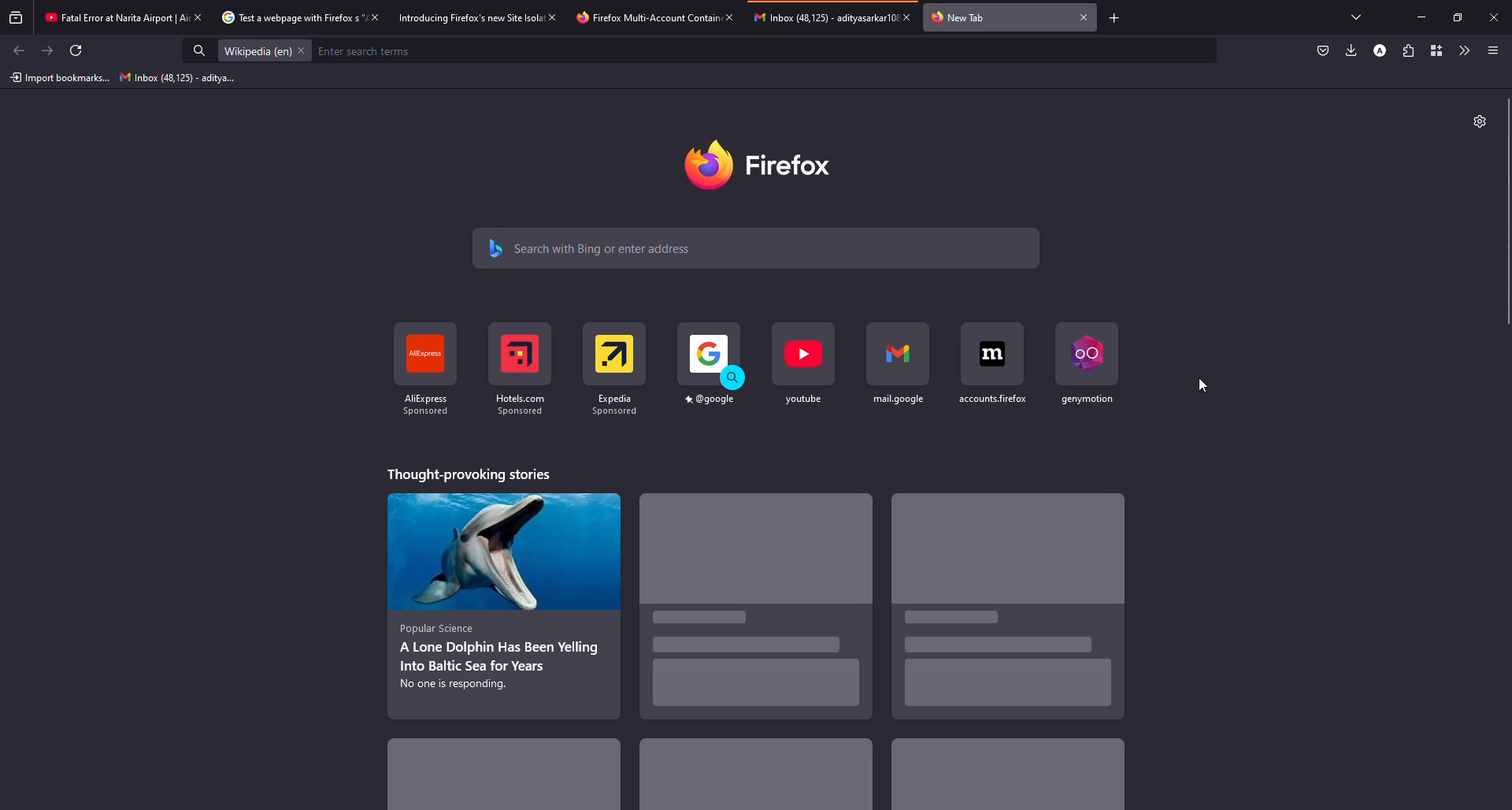  What do you see at coordinates (909, 17) in the screenshot?
I see `close` at bounding box center [909, 17].